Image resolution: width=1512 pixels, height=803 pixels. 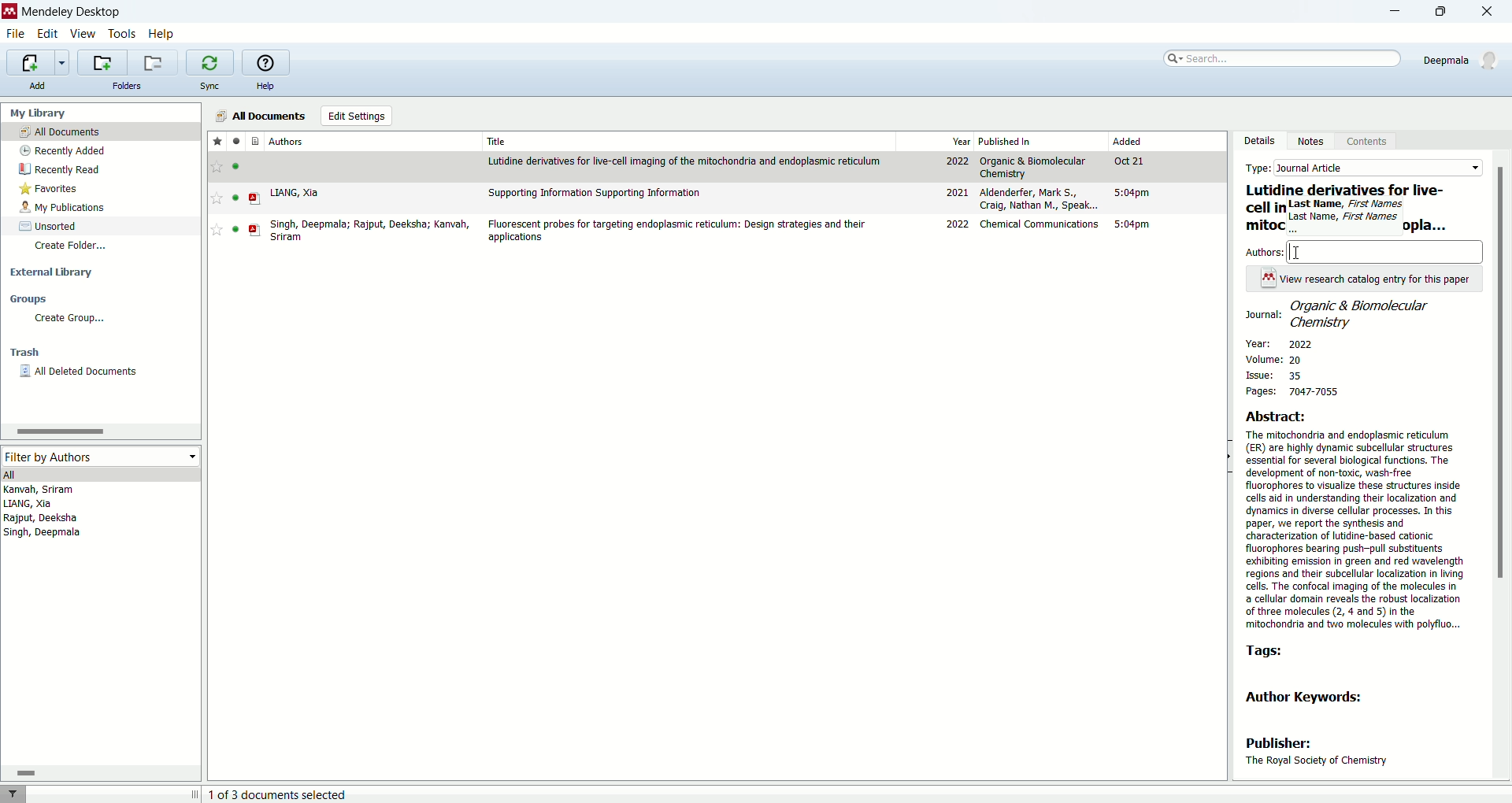 What do you see at coordinates (1315, 700) in the screenshot?
I see `author keywords` at bounding box center [1315, 700].